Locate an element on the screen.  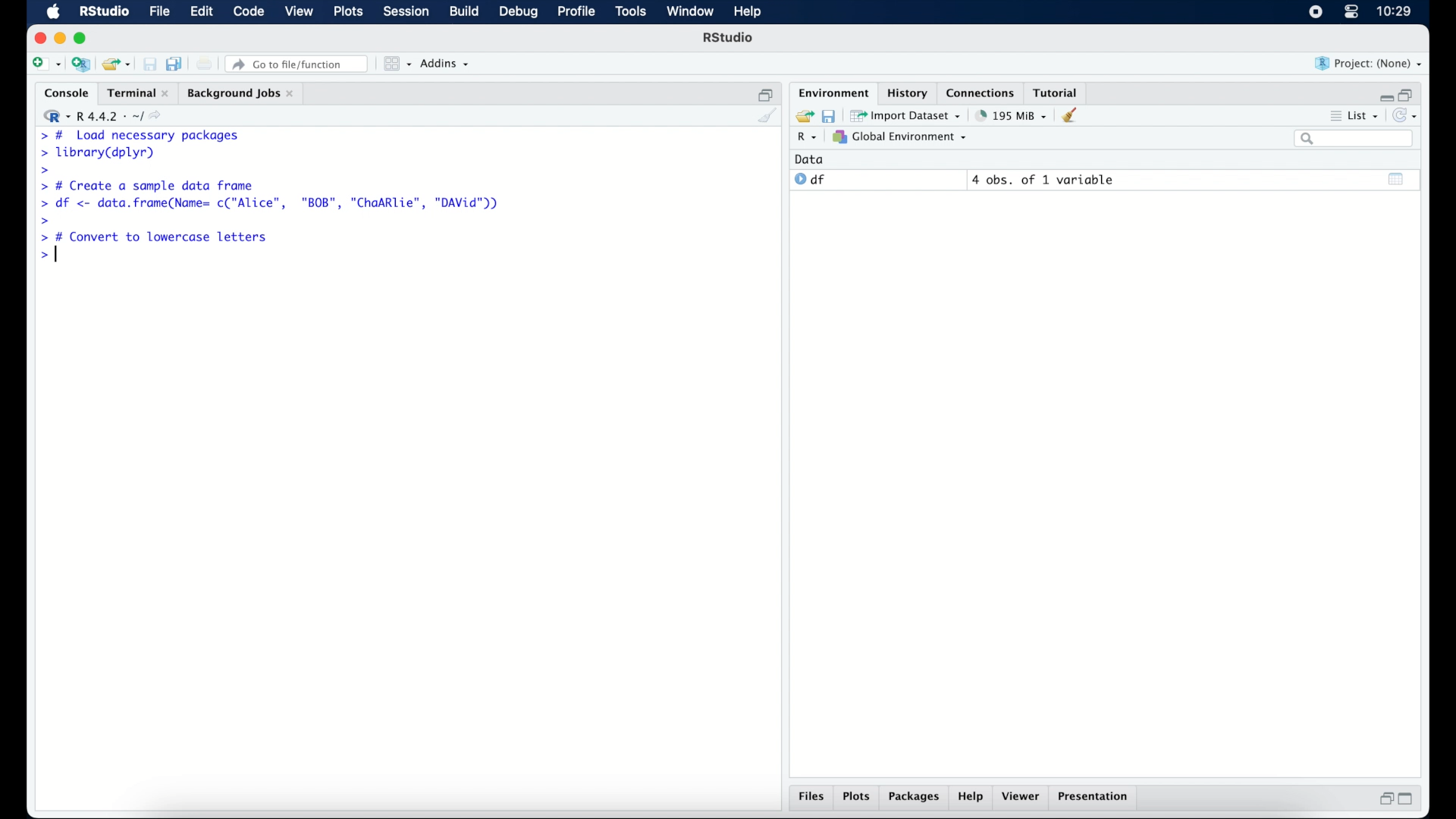
restore down is located at coordinates (1384, 800).